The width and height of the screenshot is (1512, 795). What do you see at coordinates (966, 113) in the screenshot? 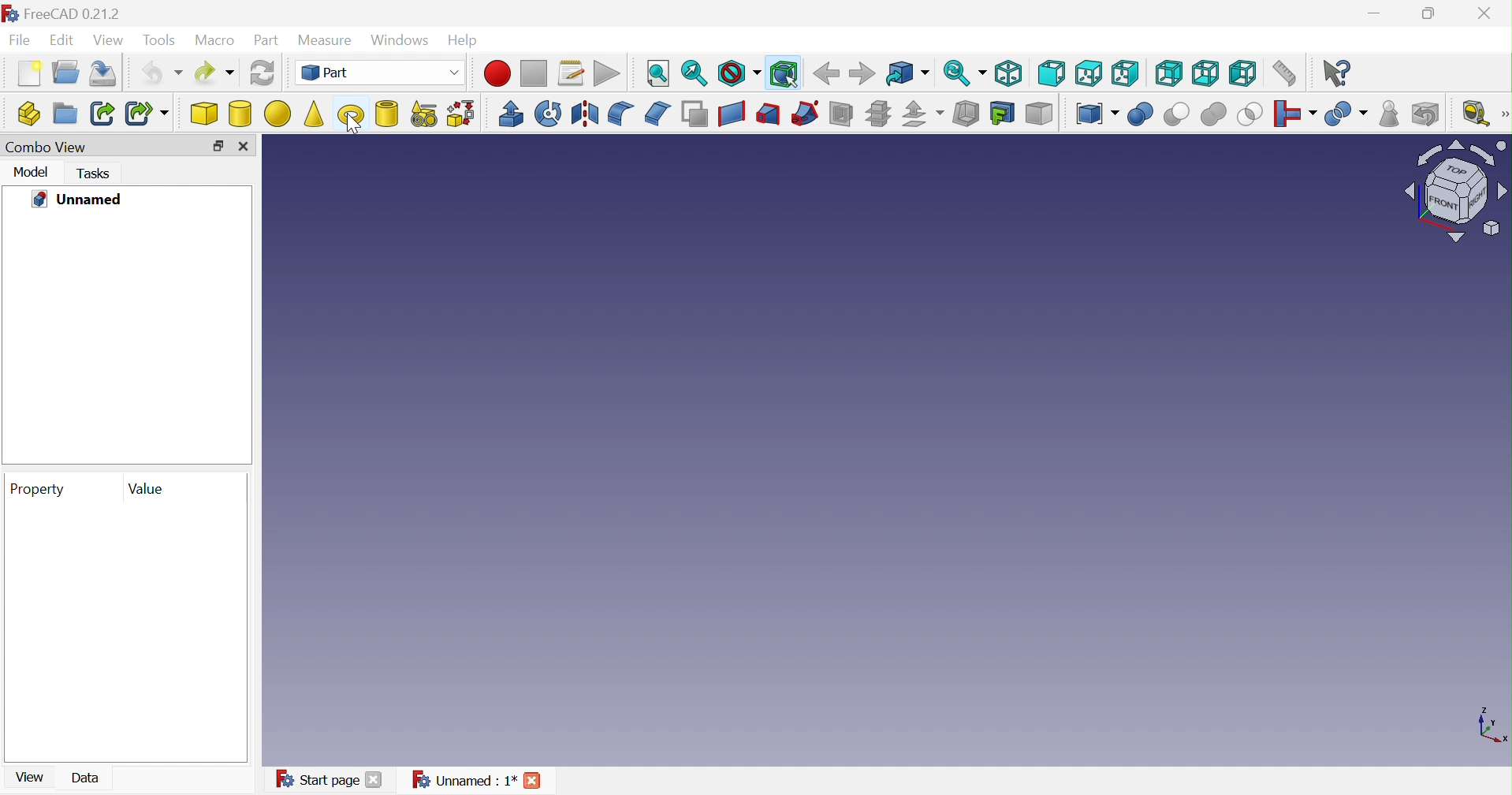
I see `Thickness` at bounding box center [966, 113].